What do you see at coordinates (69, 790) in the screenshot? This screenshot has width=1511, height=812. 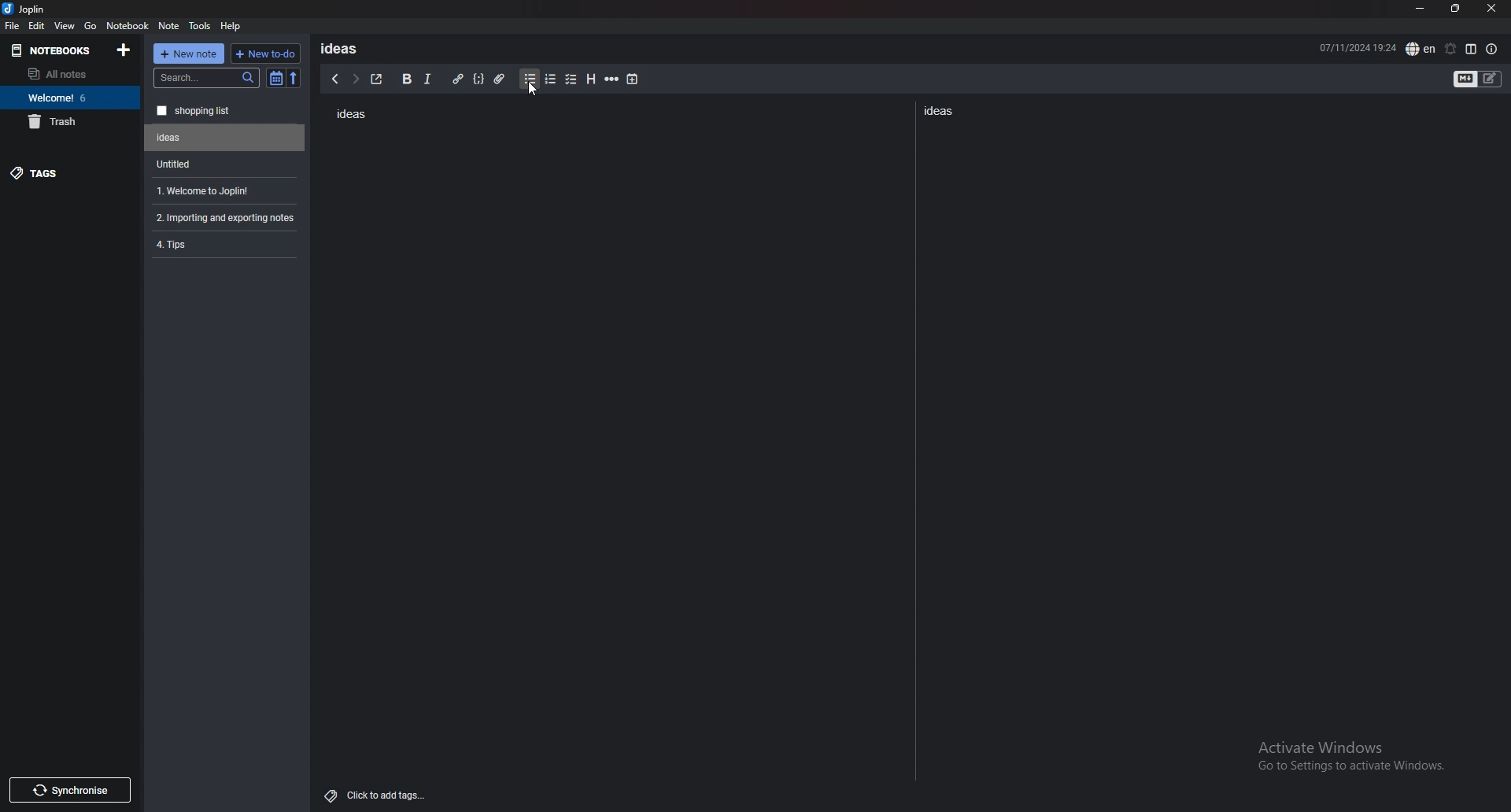 I see `Synchronise` at bounding box center [69, 790].